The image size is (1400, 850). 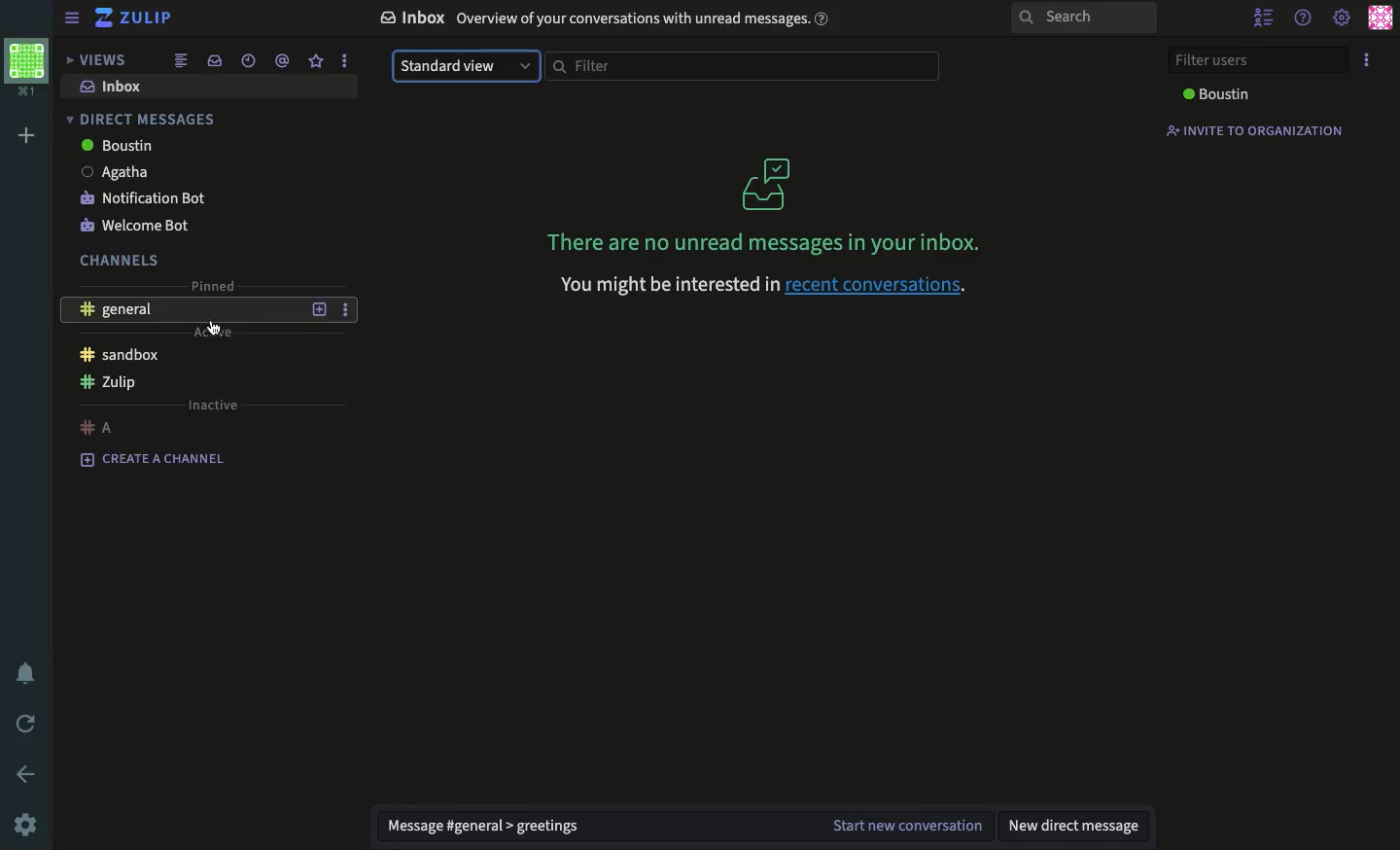 I want to click on add new topic, so click(x=321, y=308).